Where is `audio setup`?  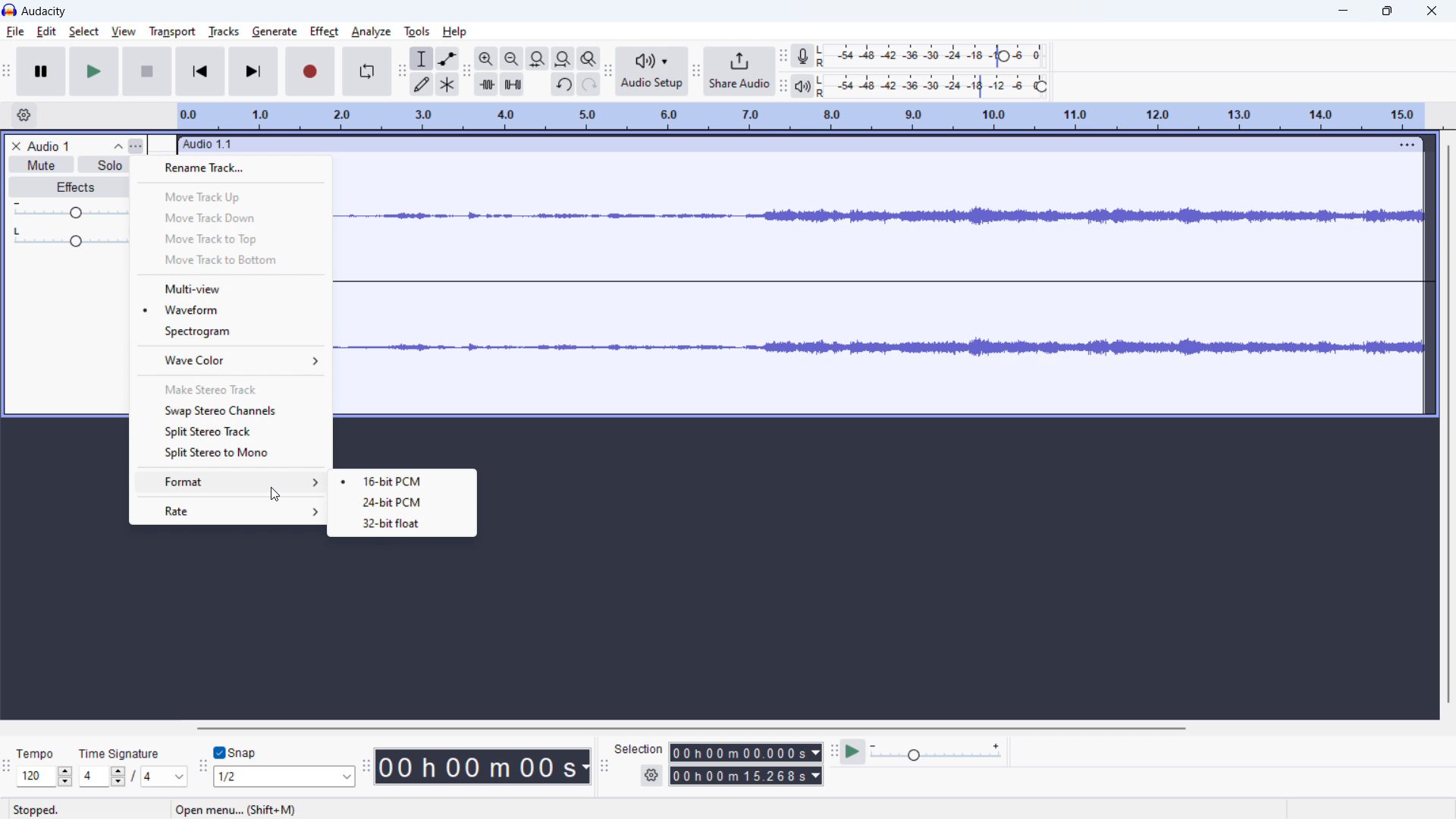 audio setup is located at coordinates (653, 72).